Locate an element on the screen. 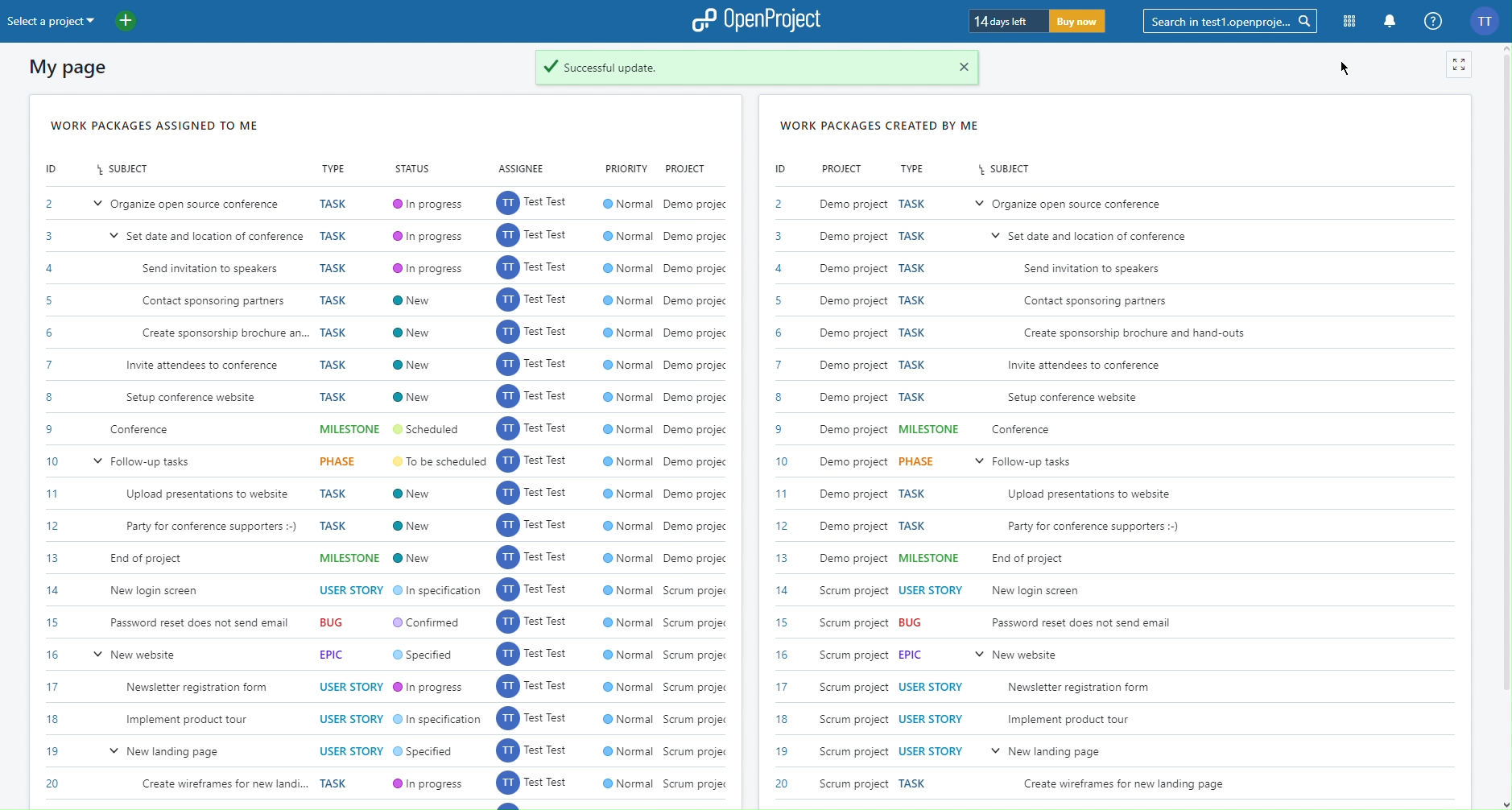 This screenshot has height=810, width=1512. In specification is located at coordinates (437, 722).